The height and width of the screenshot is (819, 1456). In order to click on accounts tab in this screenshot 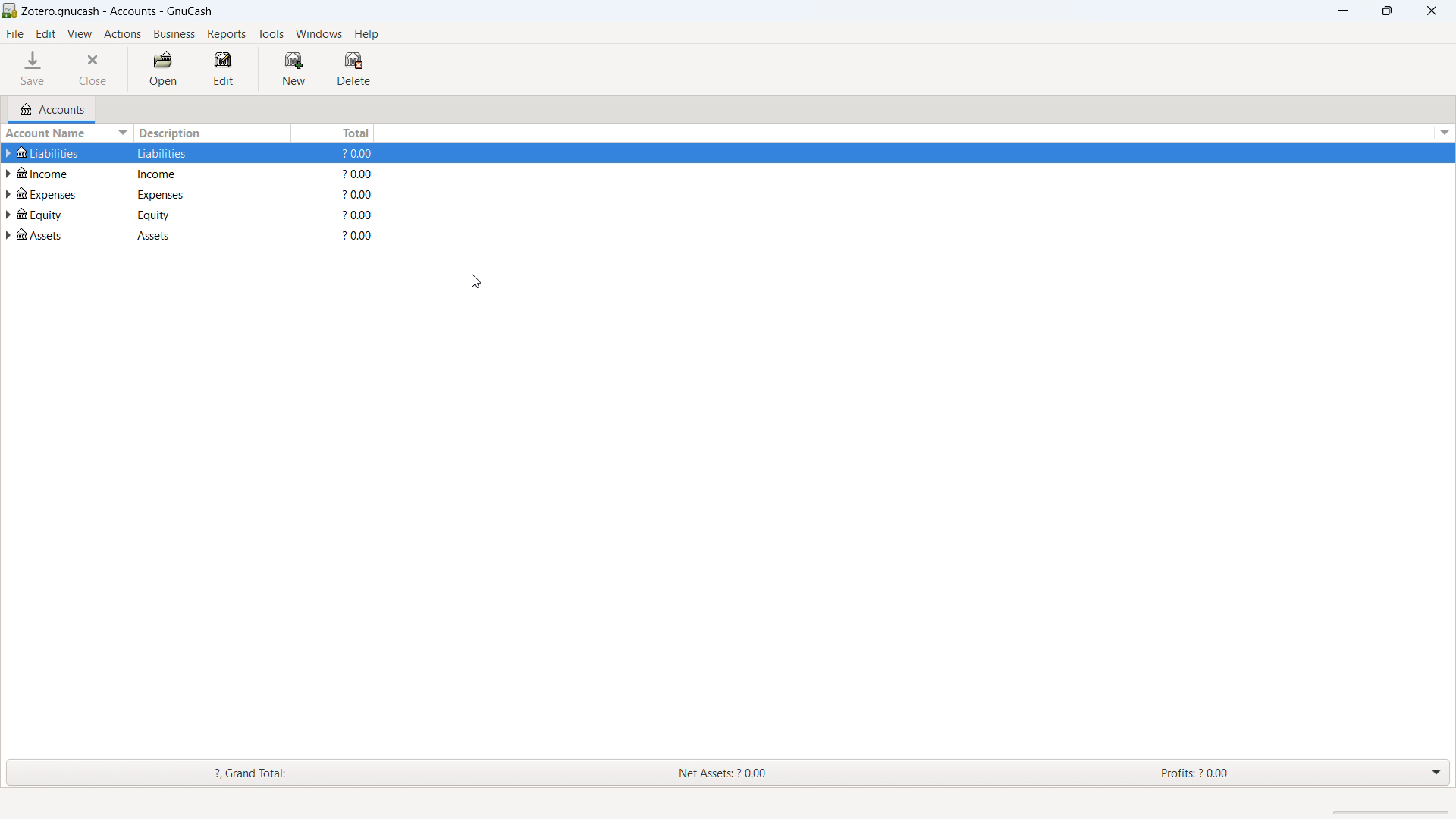, I will do `click(52, 109)`.